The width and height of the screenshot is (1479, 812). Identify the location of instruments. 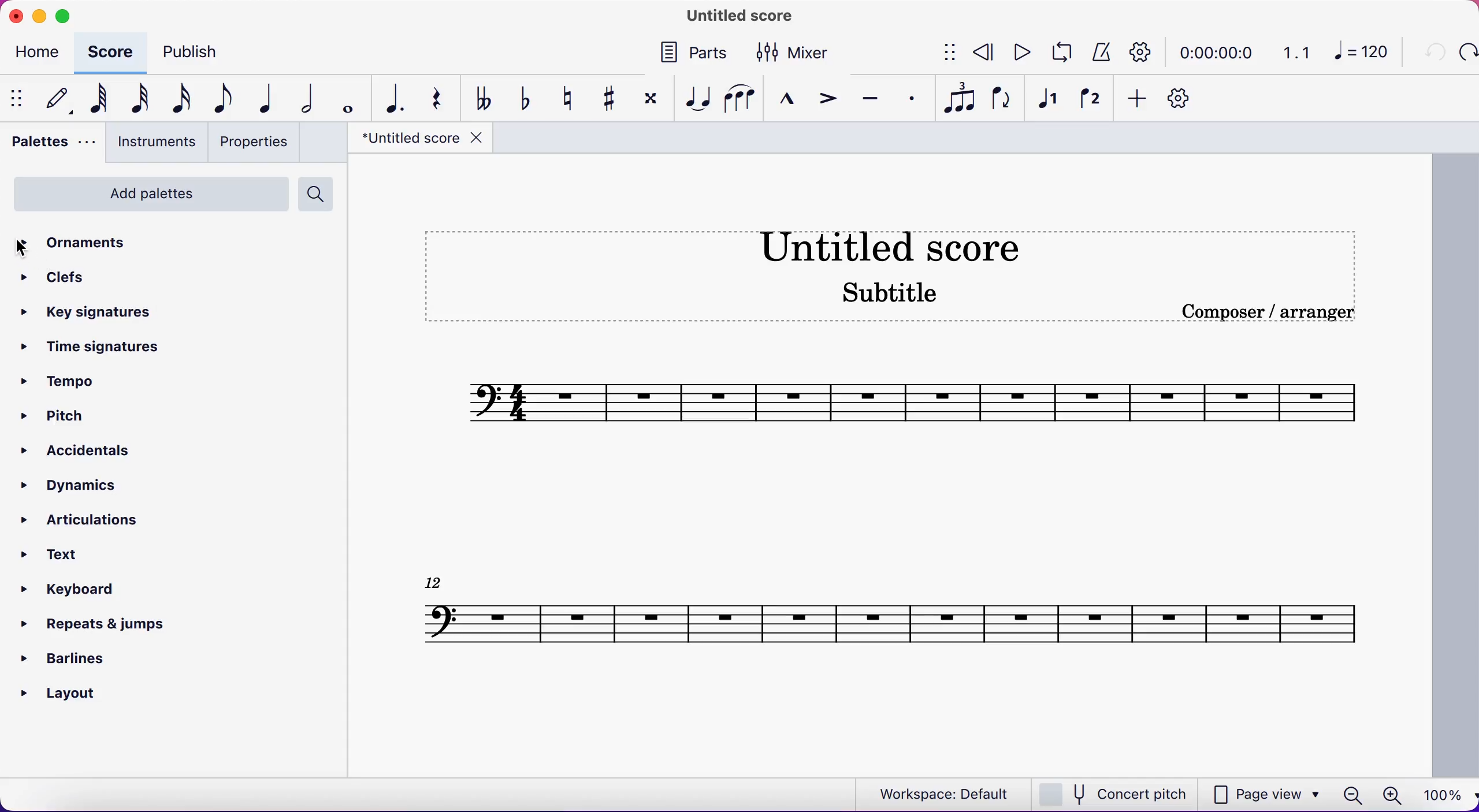
(155, 143).